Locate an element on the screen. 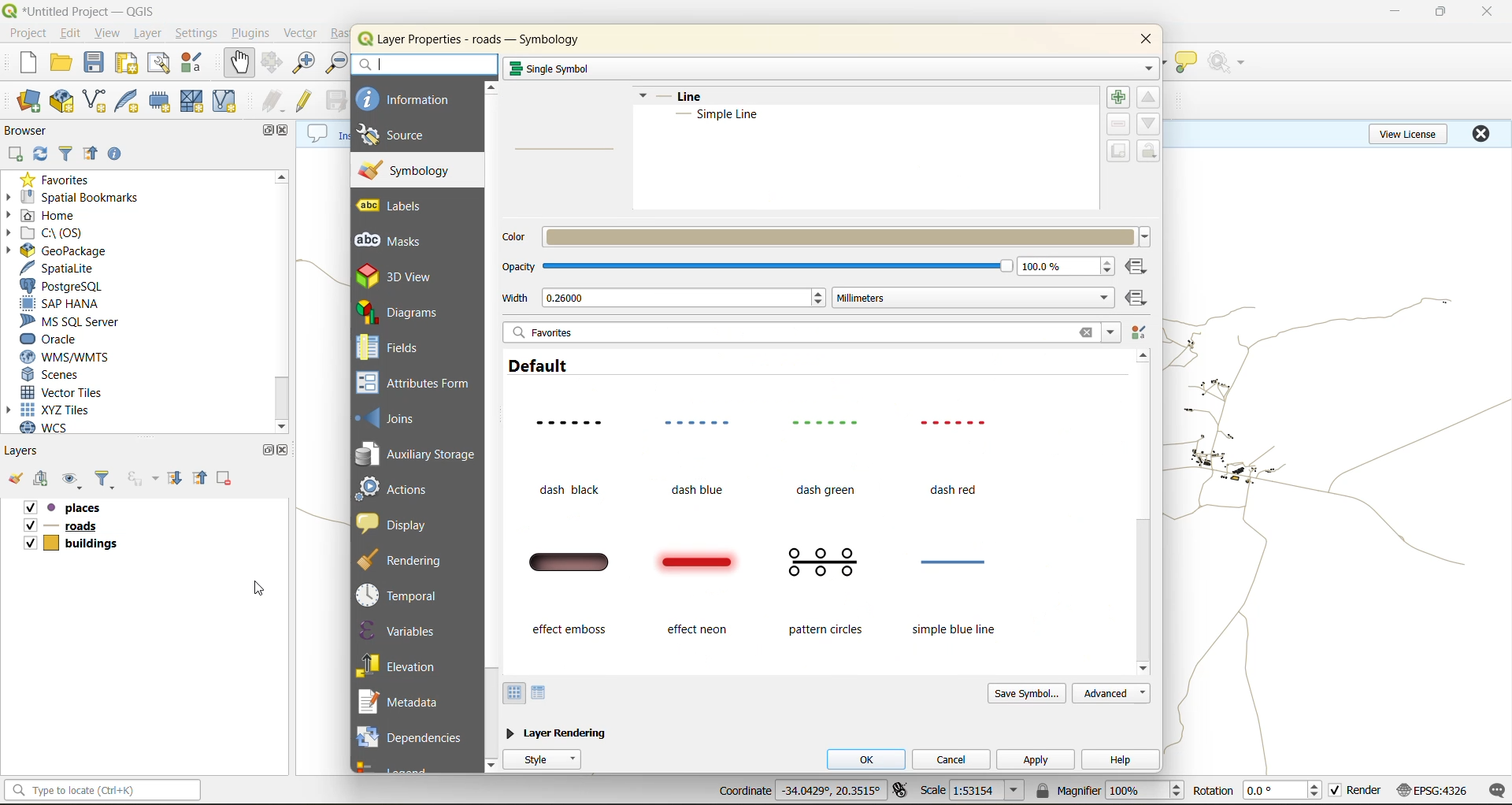 The image size is (1512, 805). refresh is located at coordinates (41, 154).